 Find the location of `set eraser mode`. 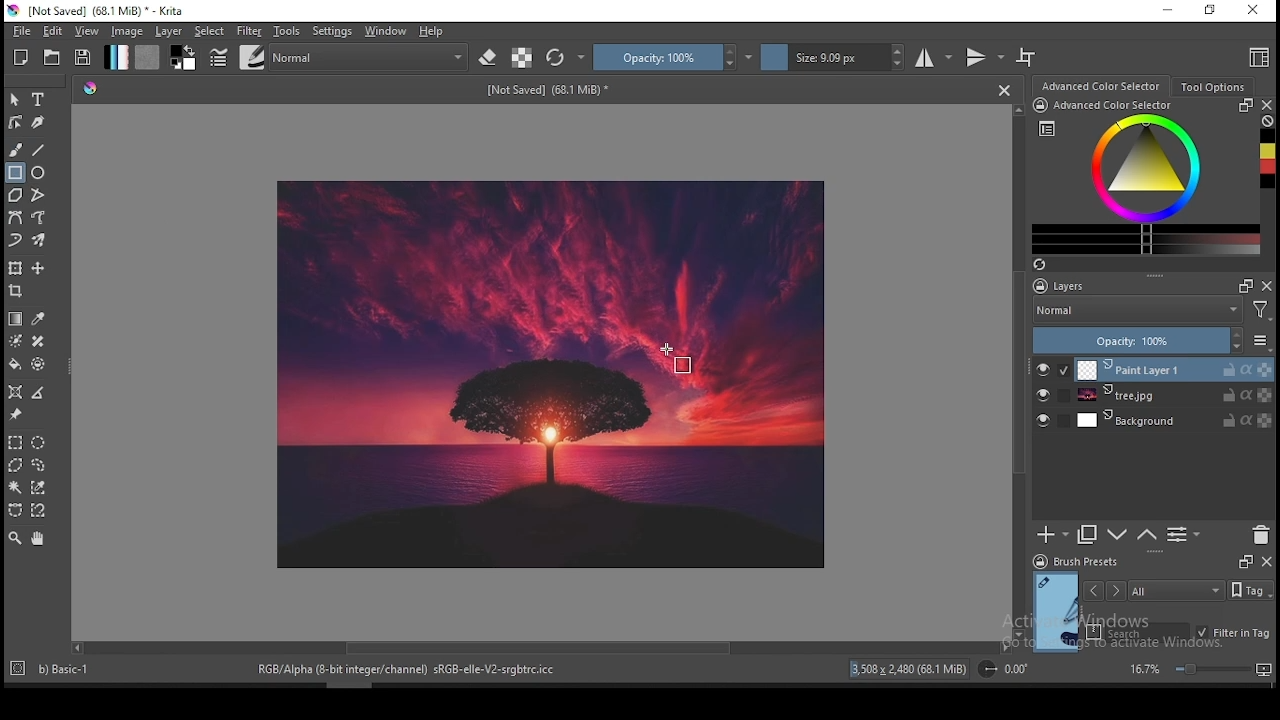

set eraser mode is located at coordinates (490, 56).